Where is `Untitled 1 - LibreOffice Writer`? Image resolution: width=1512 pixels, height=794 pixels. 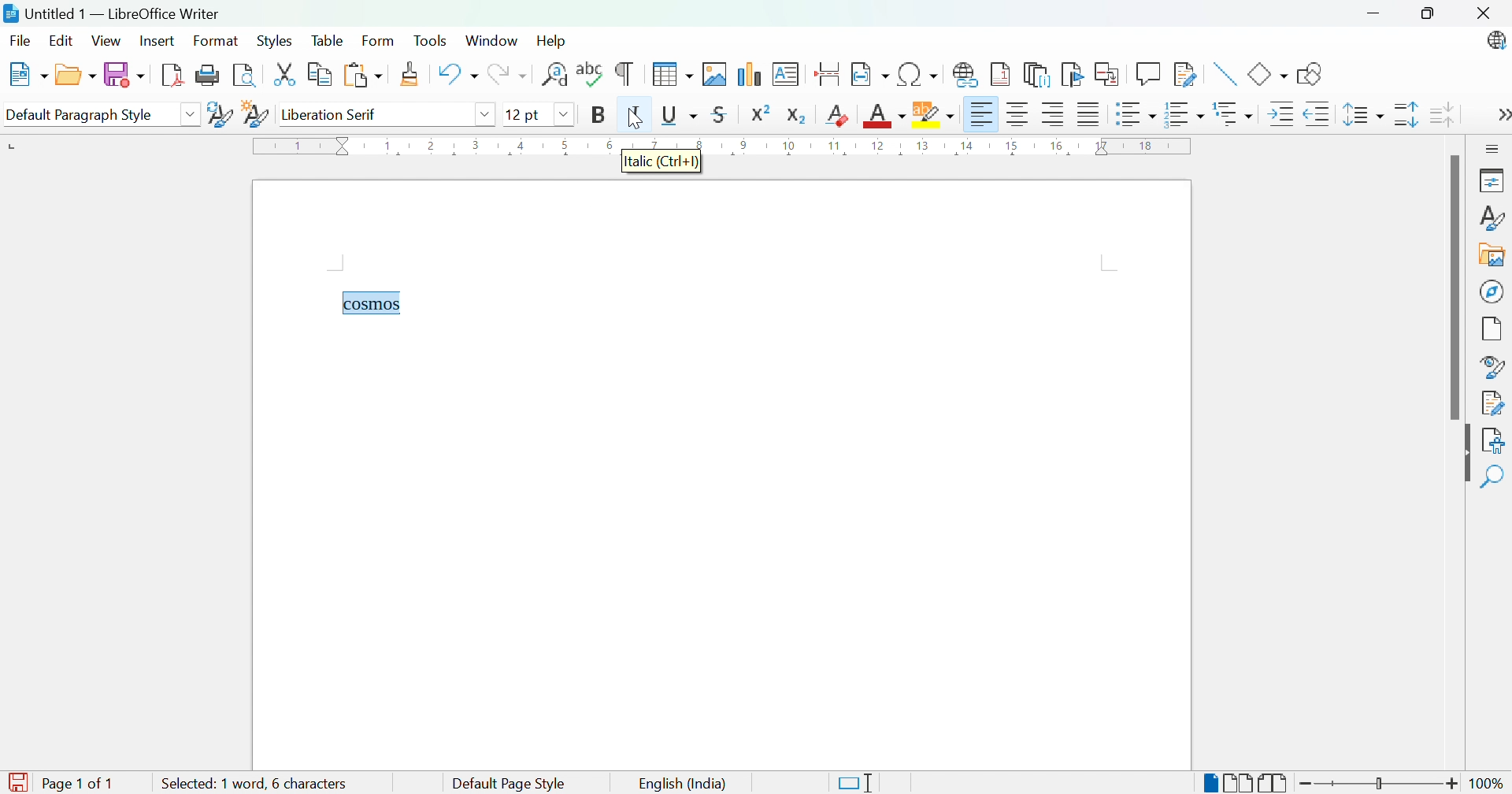
Untitled 1 - LibreOffice Writer is located at coordinates (110, 13).